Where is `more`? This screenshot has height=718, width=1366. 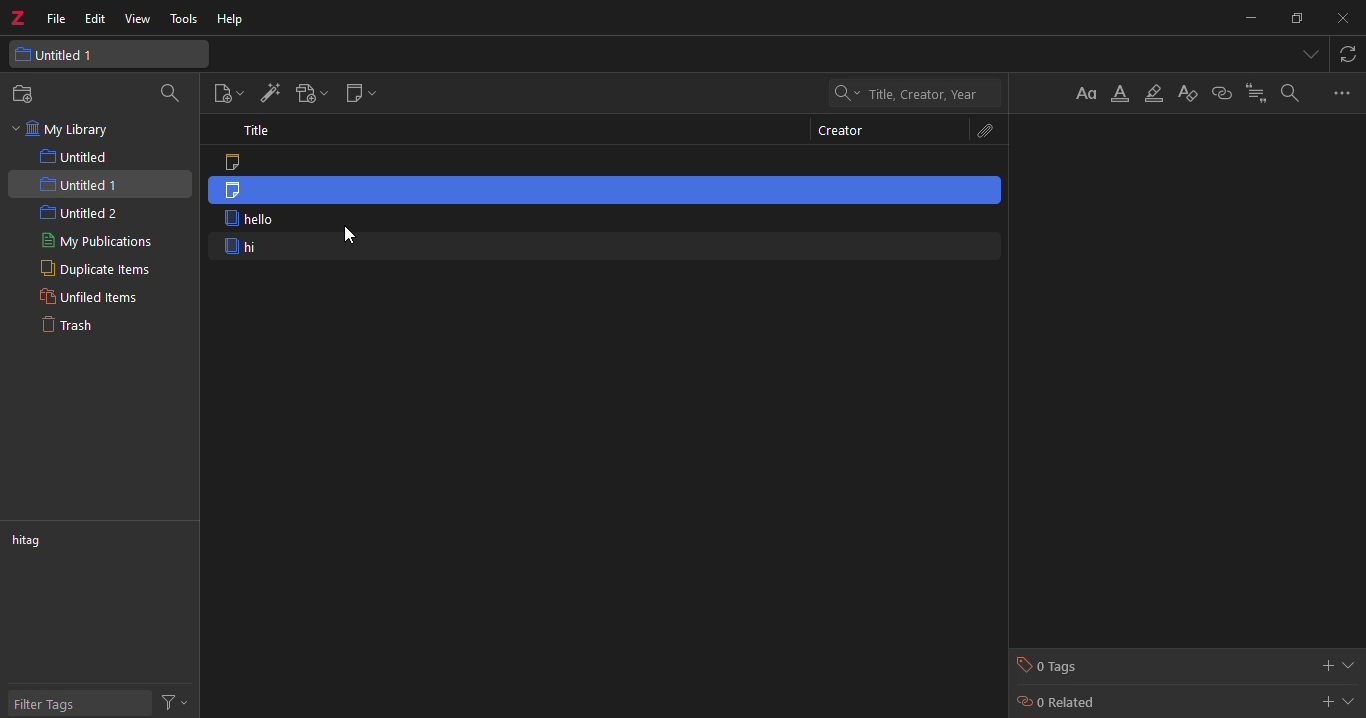
more is located at coordinates (1342, 93).